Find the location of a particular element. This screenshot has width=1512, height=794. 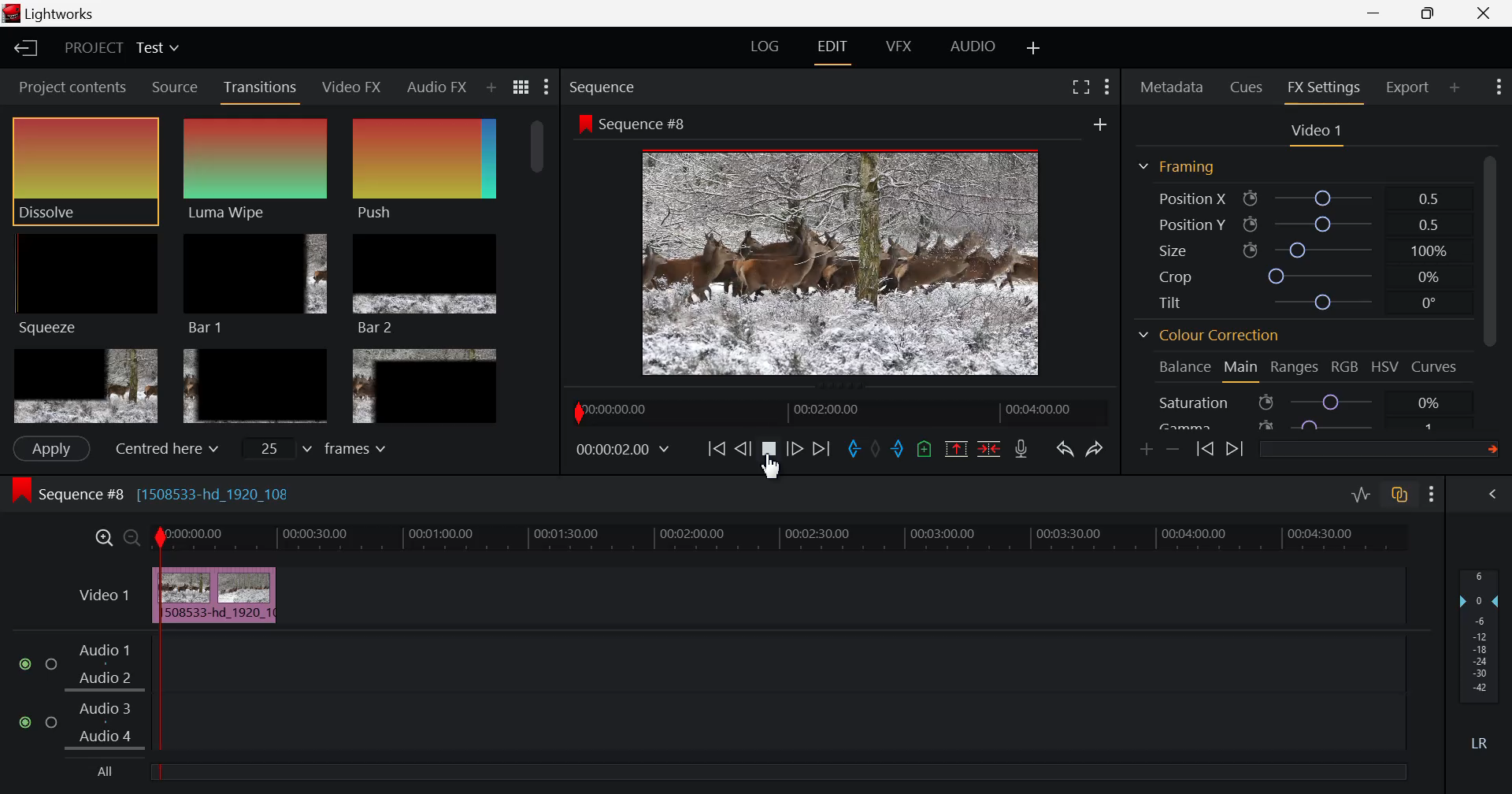

Sequence #8 [1508533-hd_1920_108 is located at coordinates (156, 492).